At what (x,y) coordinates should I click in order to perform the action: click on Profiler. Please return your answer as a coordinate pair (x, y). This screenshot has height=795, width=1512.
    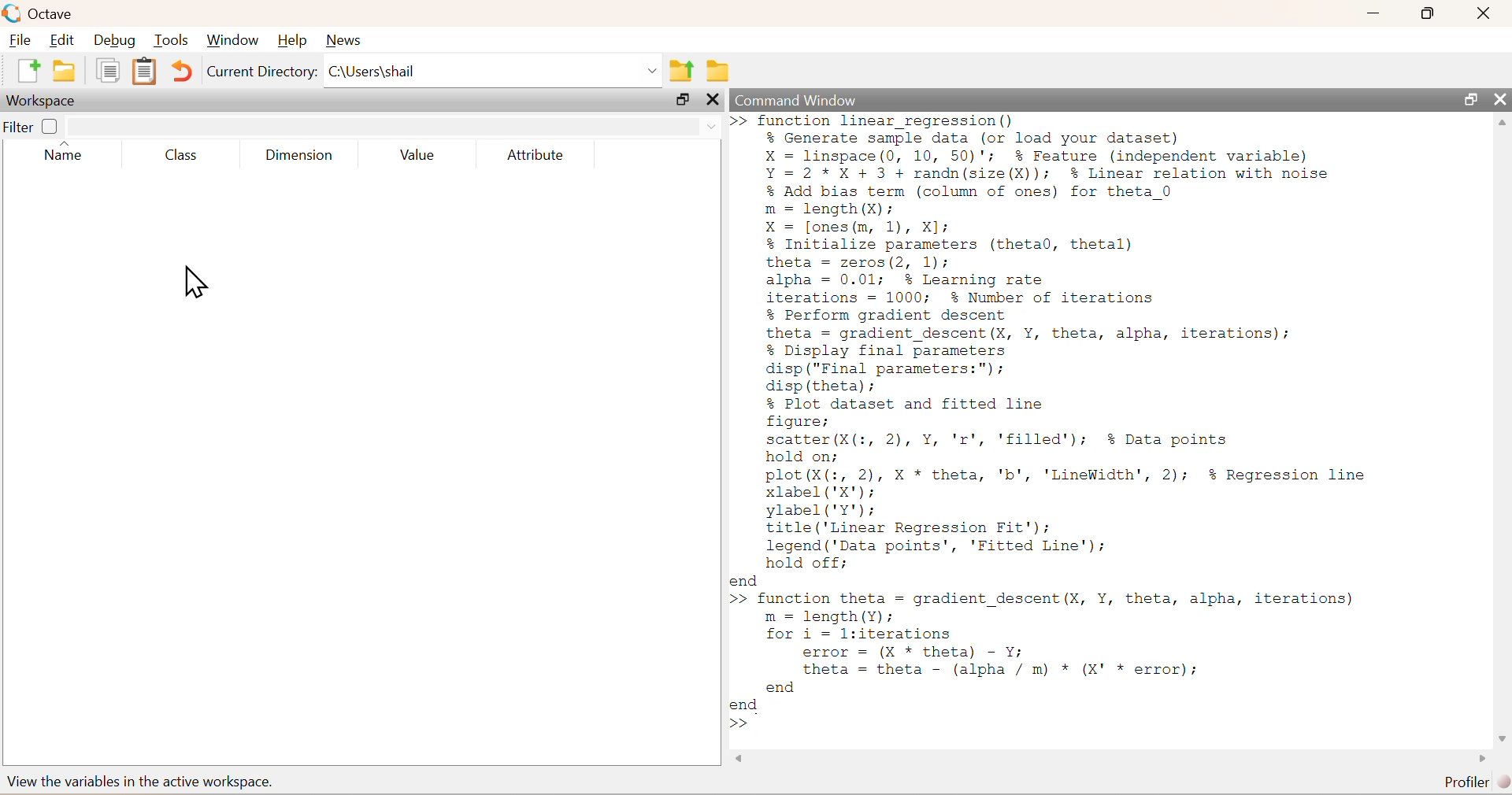
    Looking at the image, I should click on (1475, 782).